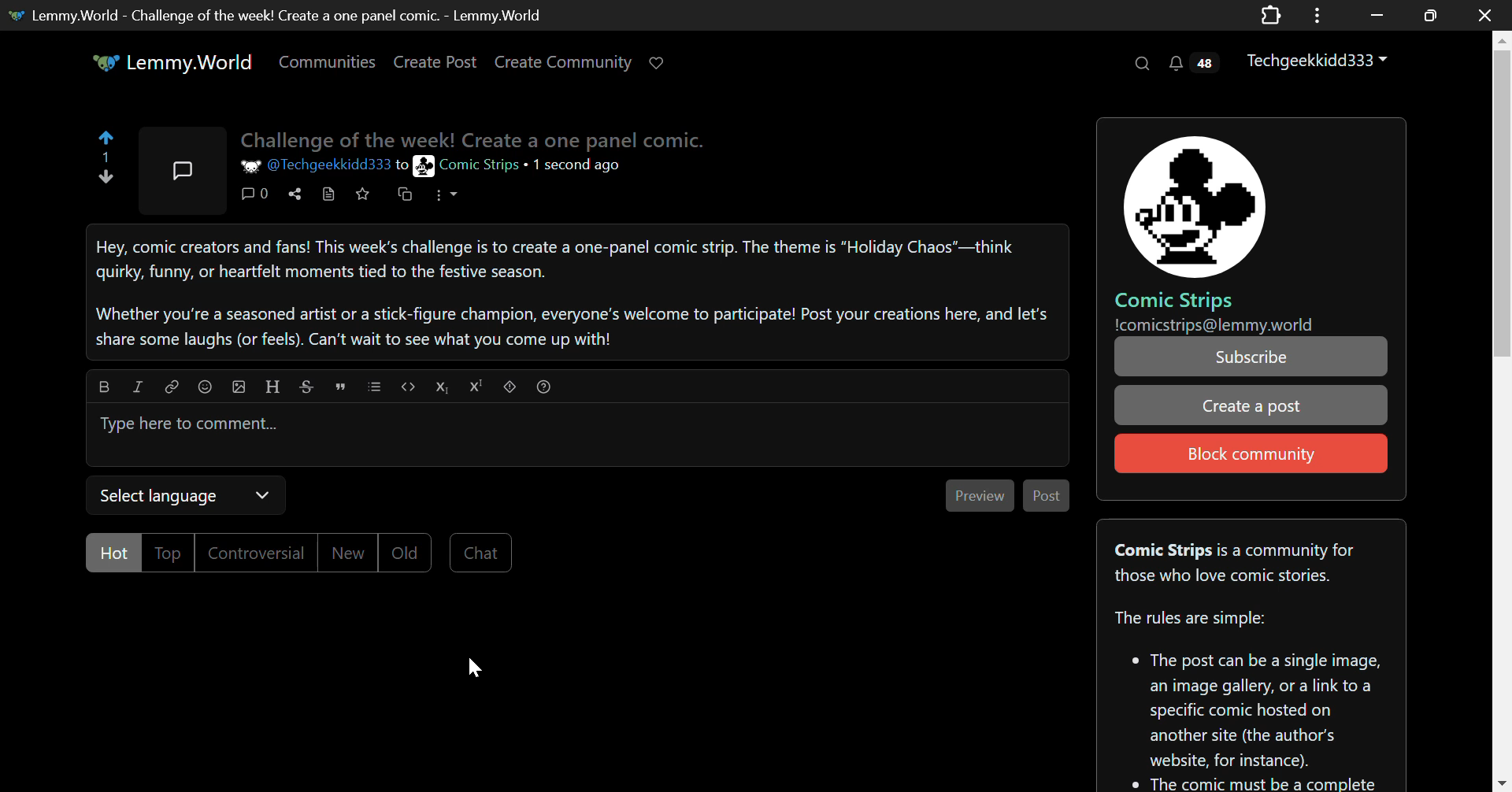 This screenshot has width=1512, height=792. Describe the element at coordinates (980, 496) in the screenshot. I see `Preview` at that location.